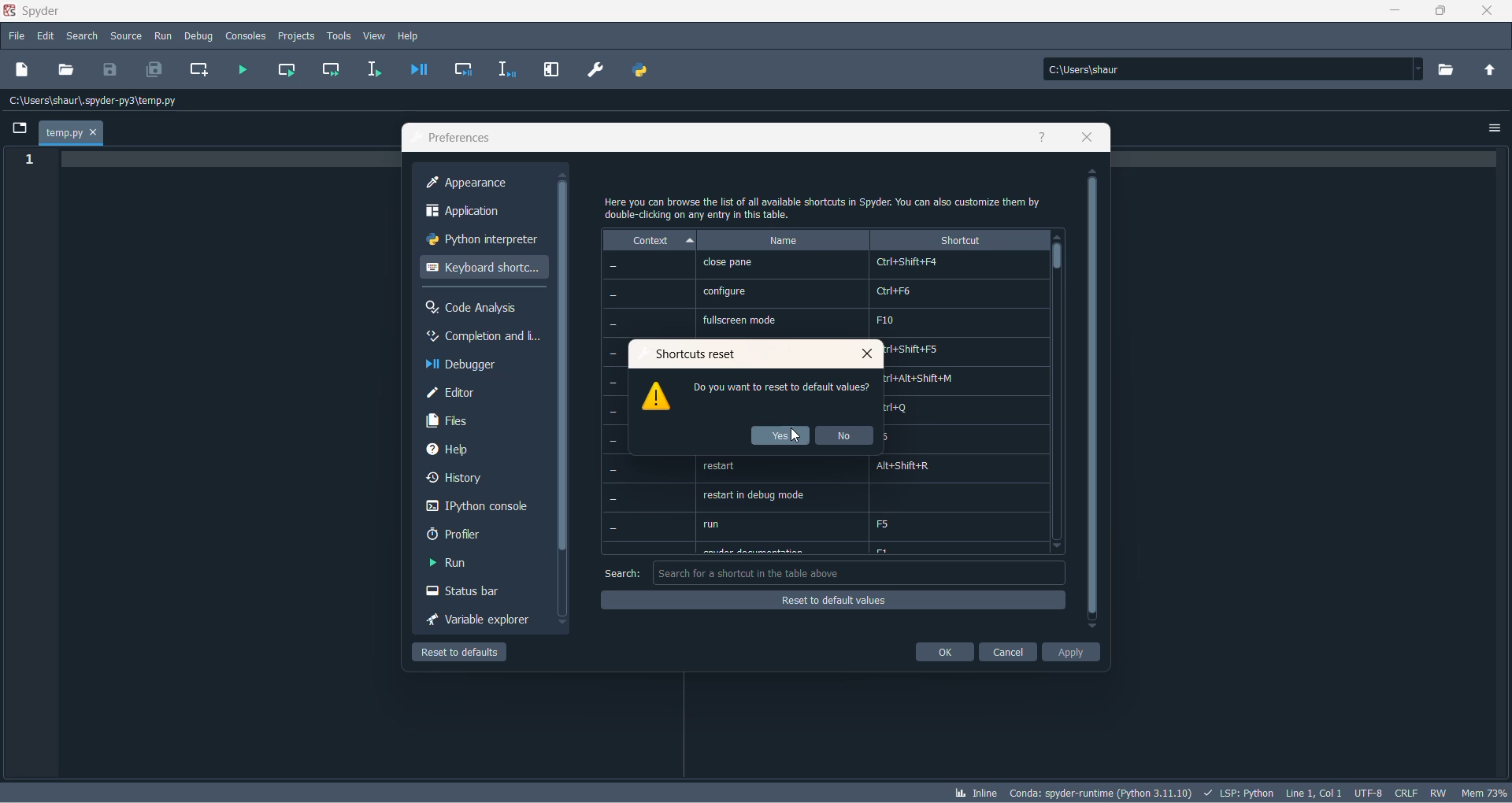  Describe the element at coordinates (295, 36) in the screenshot. I see `projects` at that location.